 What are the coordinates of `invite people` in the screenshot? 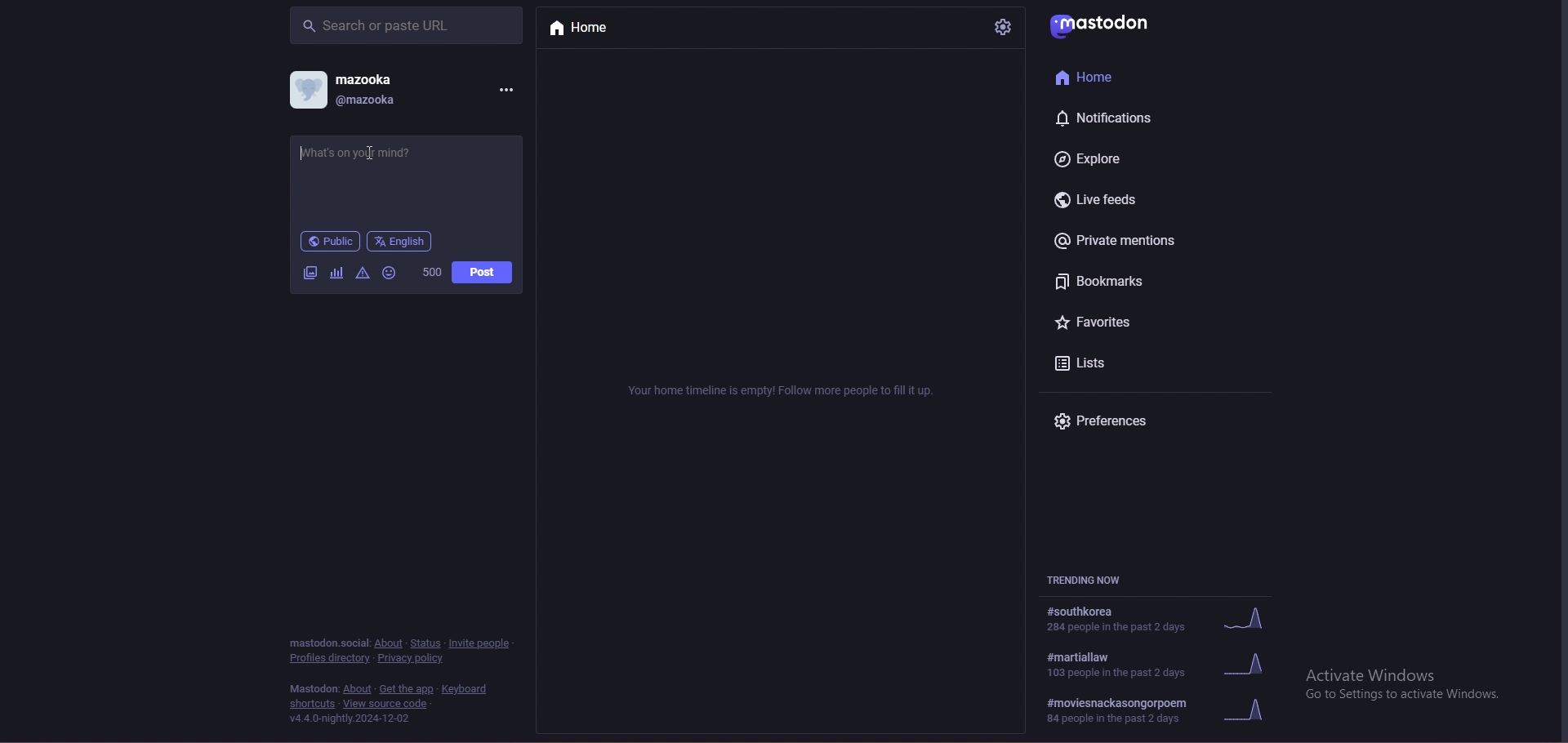 It's located at (481, 643).